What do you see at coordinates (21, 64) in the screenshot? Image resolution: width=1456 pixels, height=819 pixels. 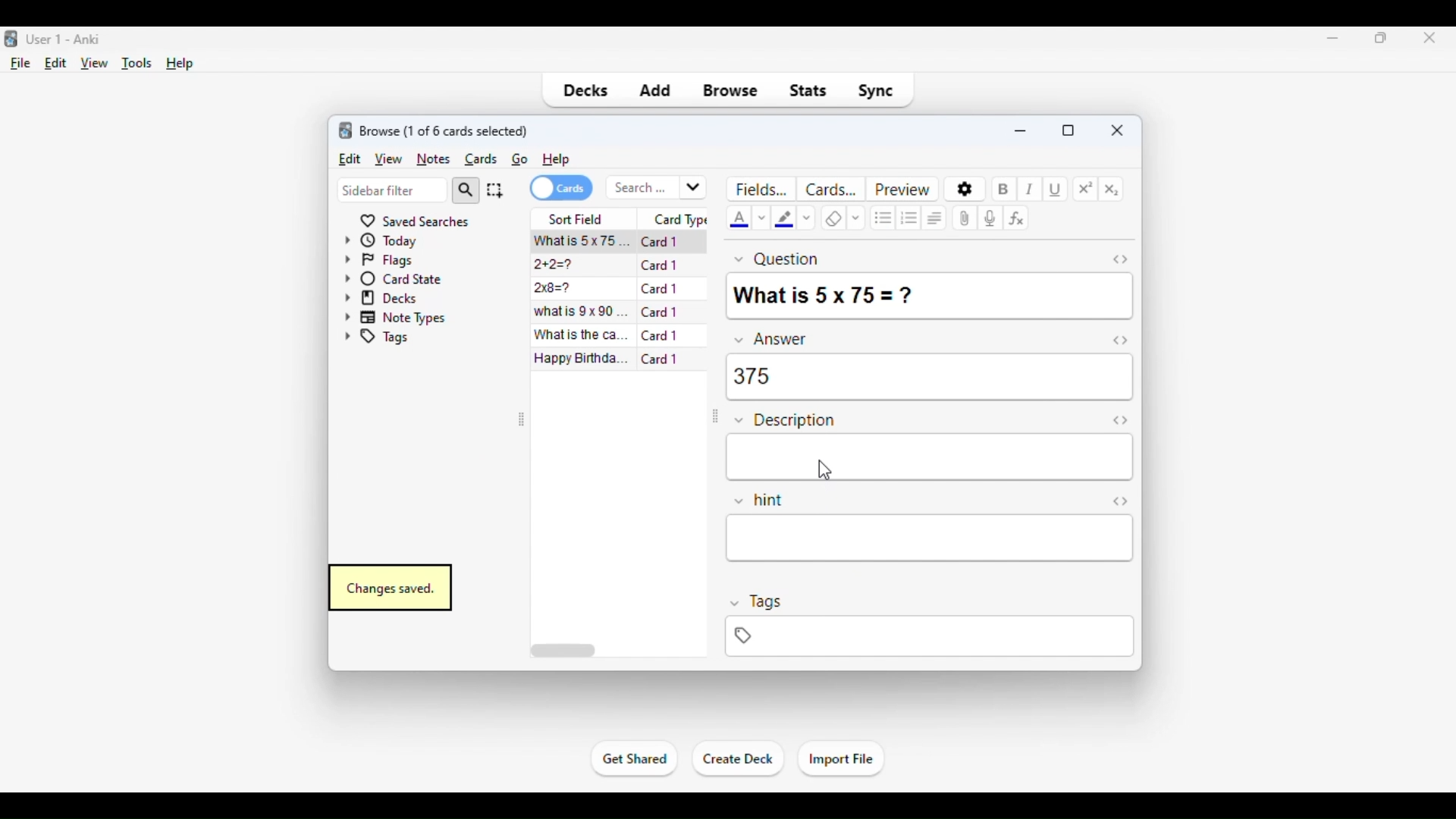 I see `file` at bounding box center [21, 64].